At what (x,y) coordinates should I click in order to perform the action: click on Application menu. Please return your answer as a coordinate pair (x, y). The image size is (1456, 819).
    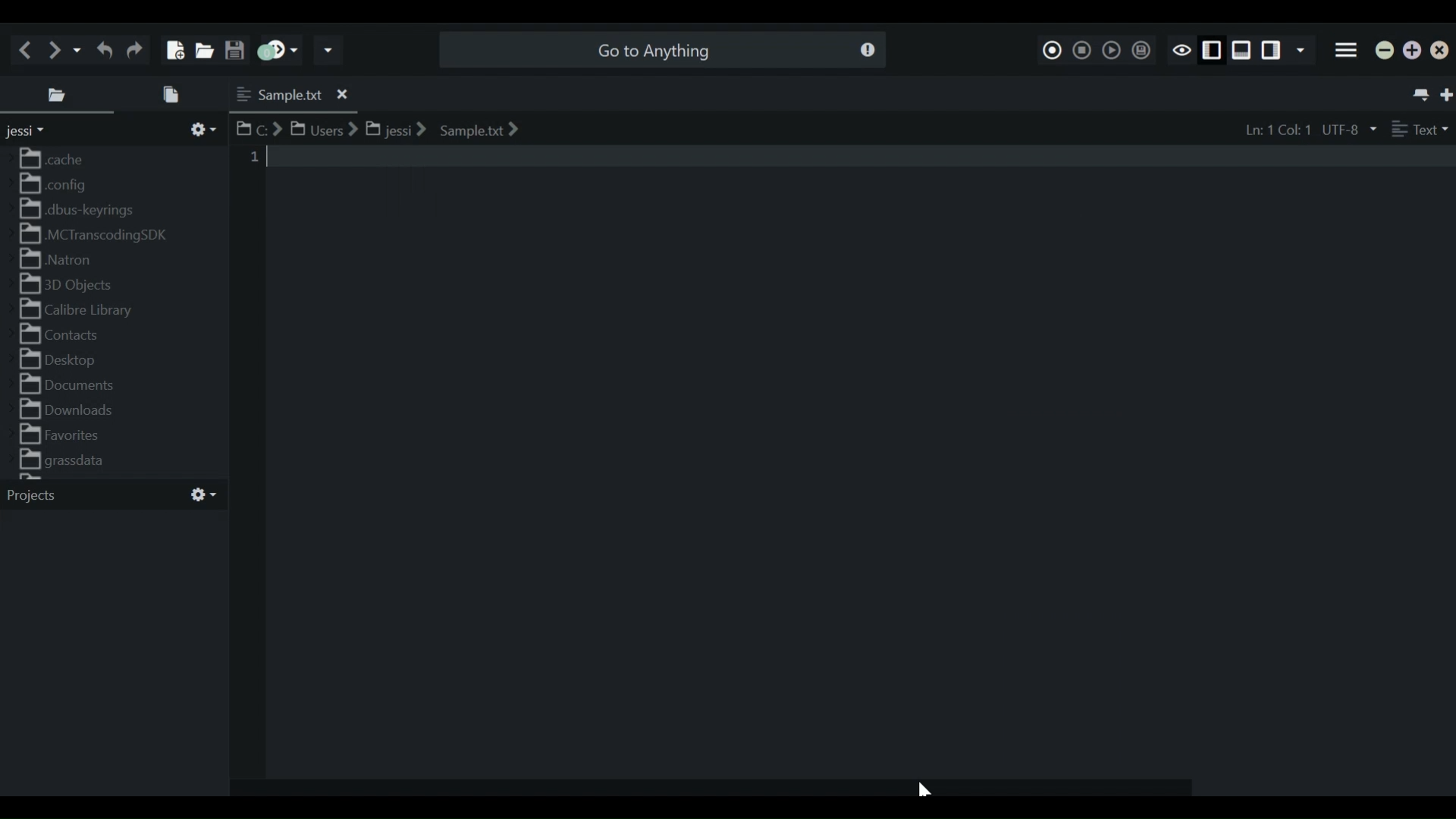
    Looking at the image, I should click on (1348, 49).